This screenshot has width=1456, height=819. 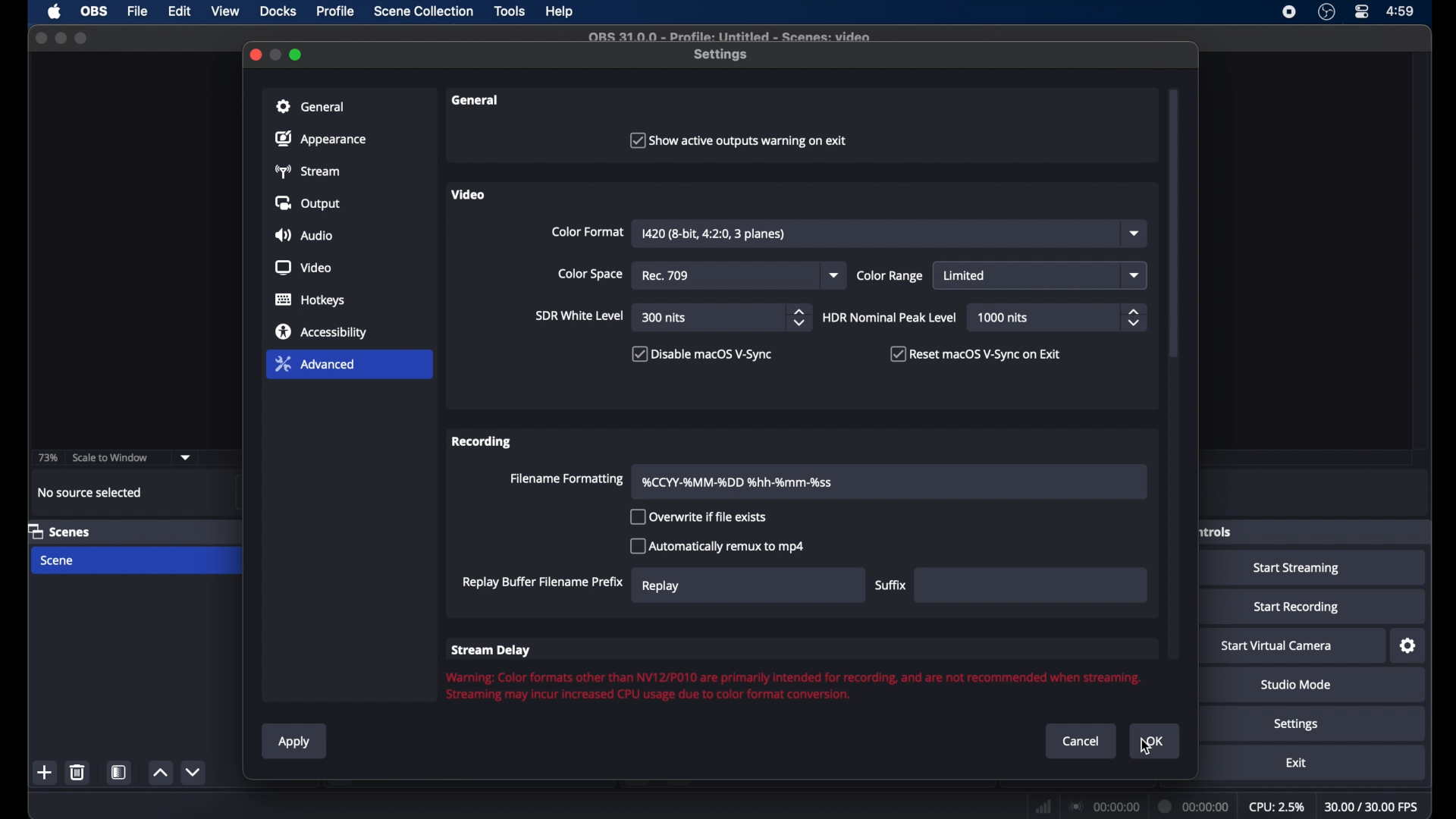 I want to click on dropdown, so click(x=1137, y=234).